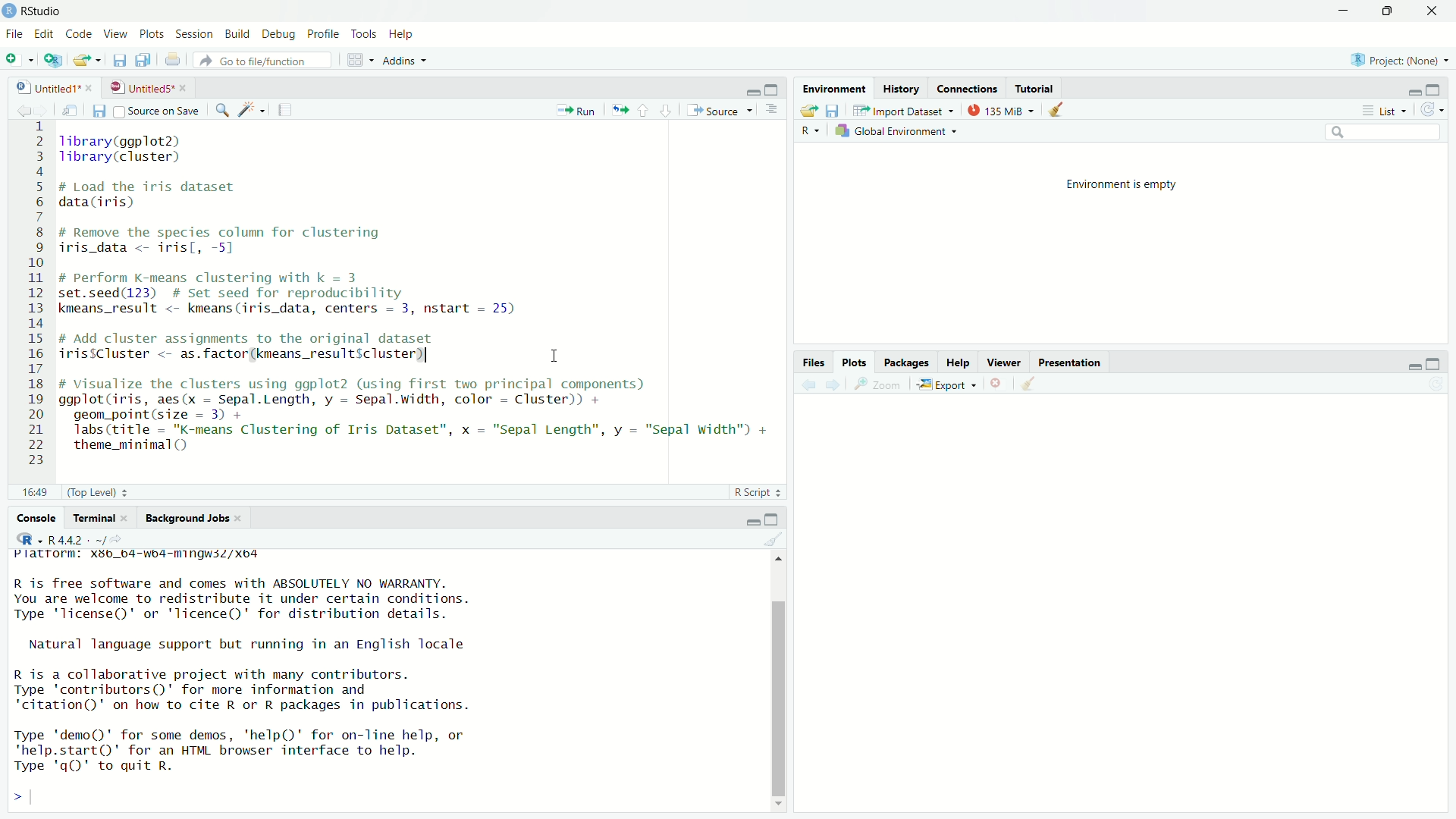  What do you see at coordinates (1076, 362) in the screenshot?
I see `presentation` at bounding box center [1076, 362].